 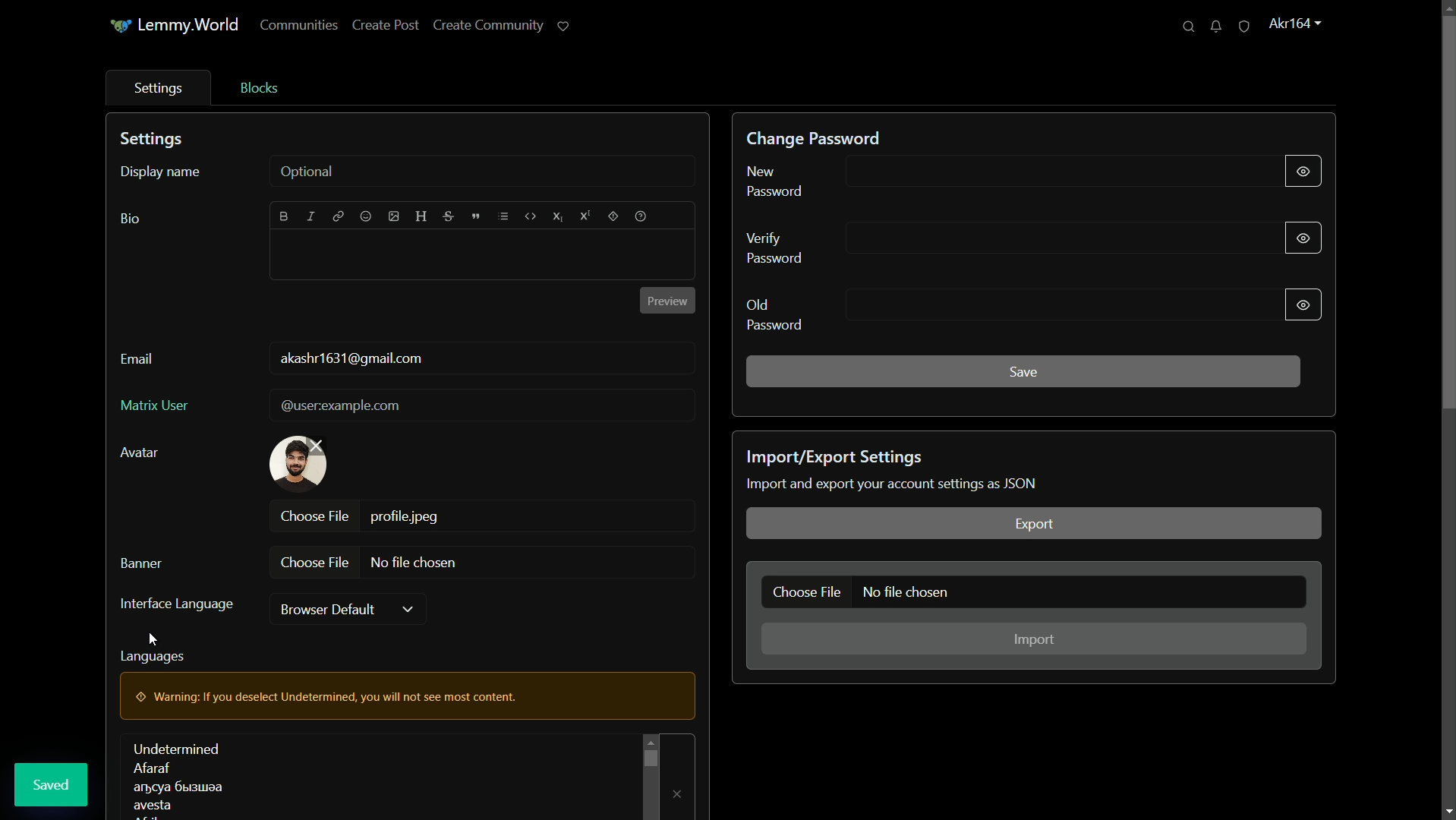 What do you see at coordinates (1024, 371) in the screenshot?
I see `save` at bounding box center [1024, 371].